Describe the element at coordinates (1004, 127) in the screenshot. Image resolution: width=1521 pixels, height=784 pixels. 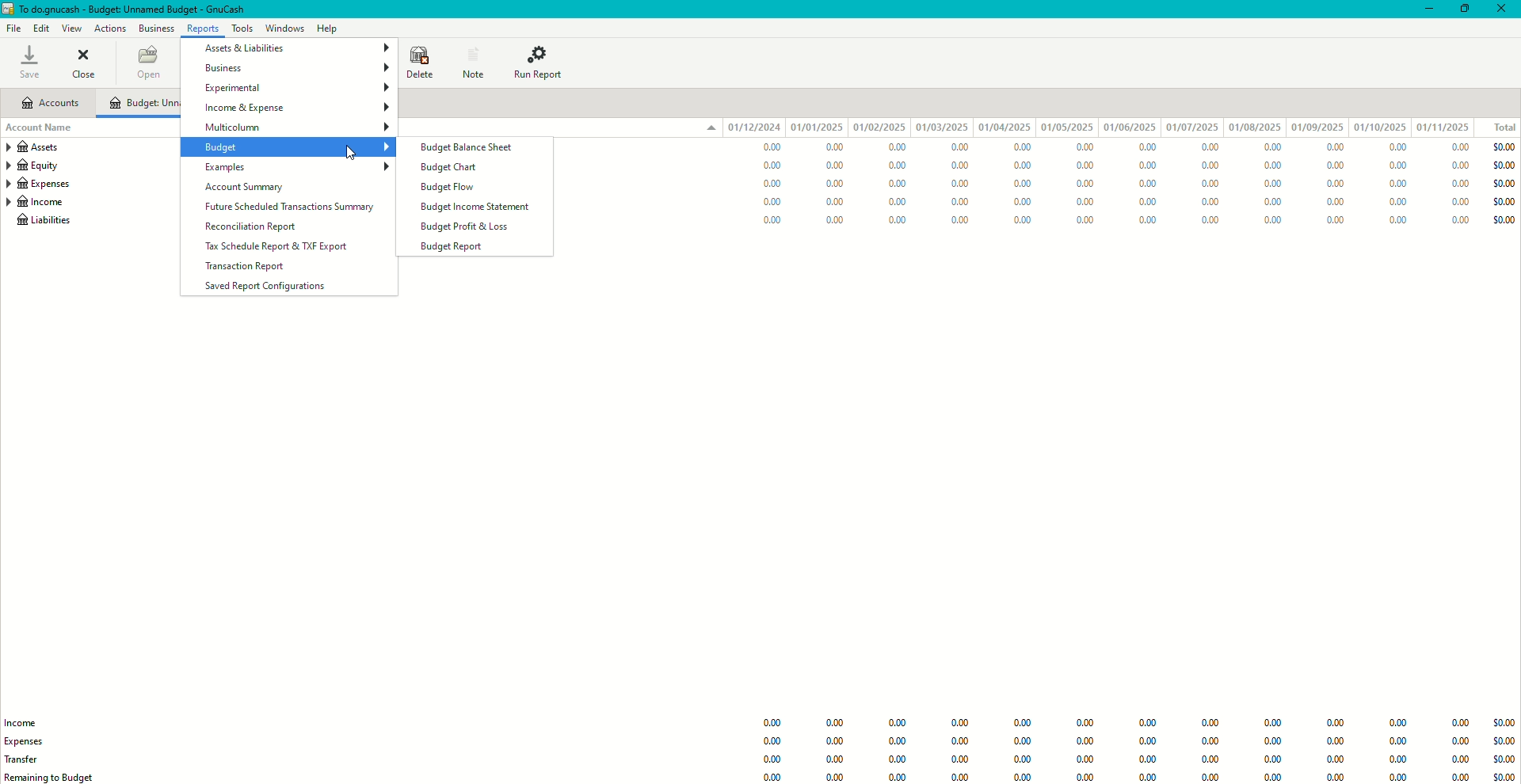
I see `01/04/2025` at that location.